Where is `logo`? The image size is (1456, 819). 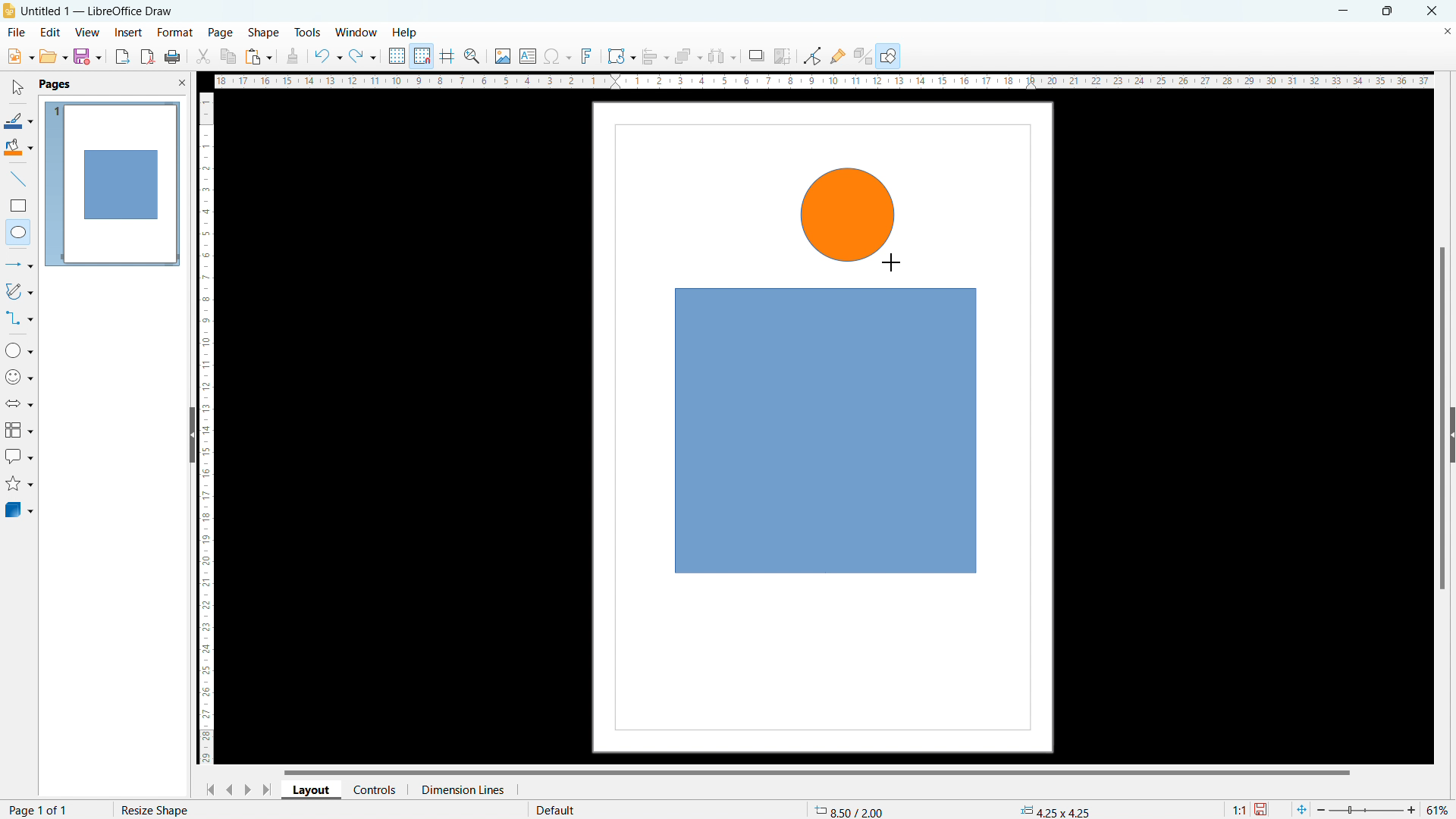 logo is located at coordinates (9, 11).